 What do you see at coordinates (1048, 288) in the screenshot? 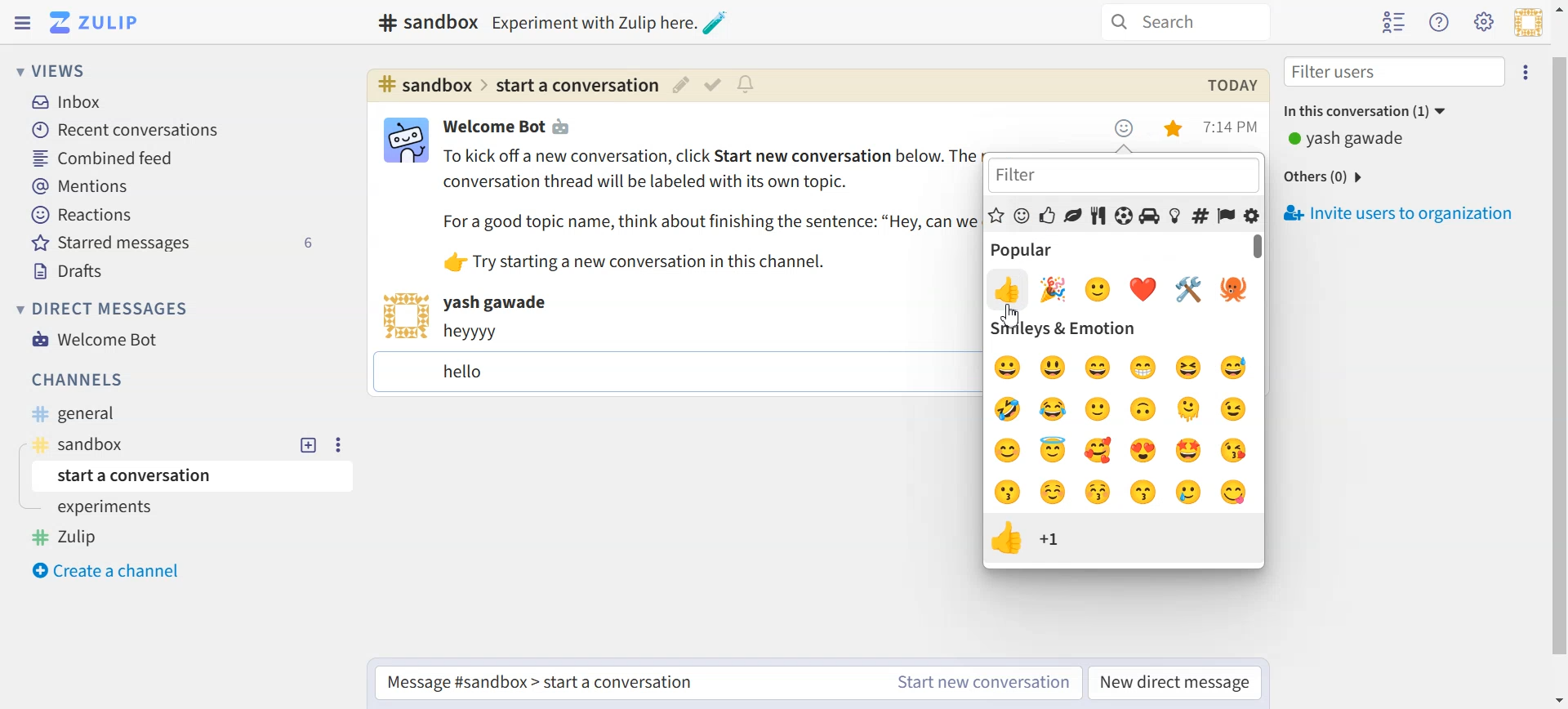
I see `emoji` at bounding box center [1048, 288].